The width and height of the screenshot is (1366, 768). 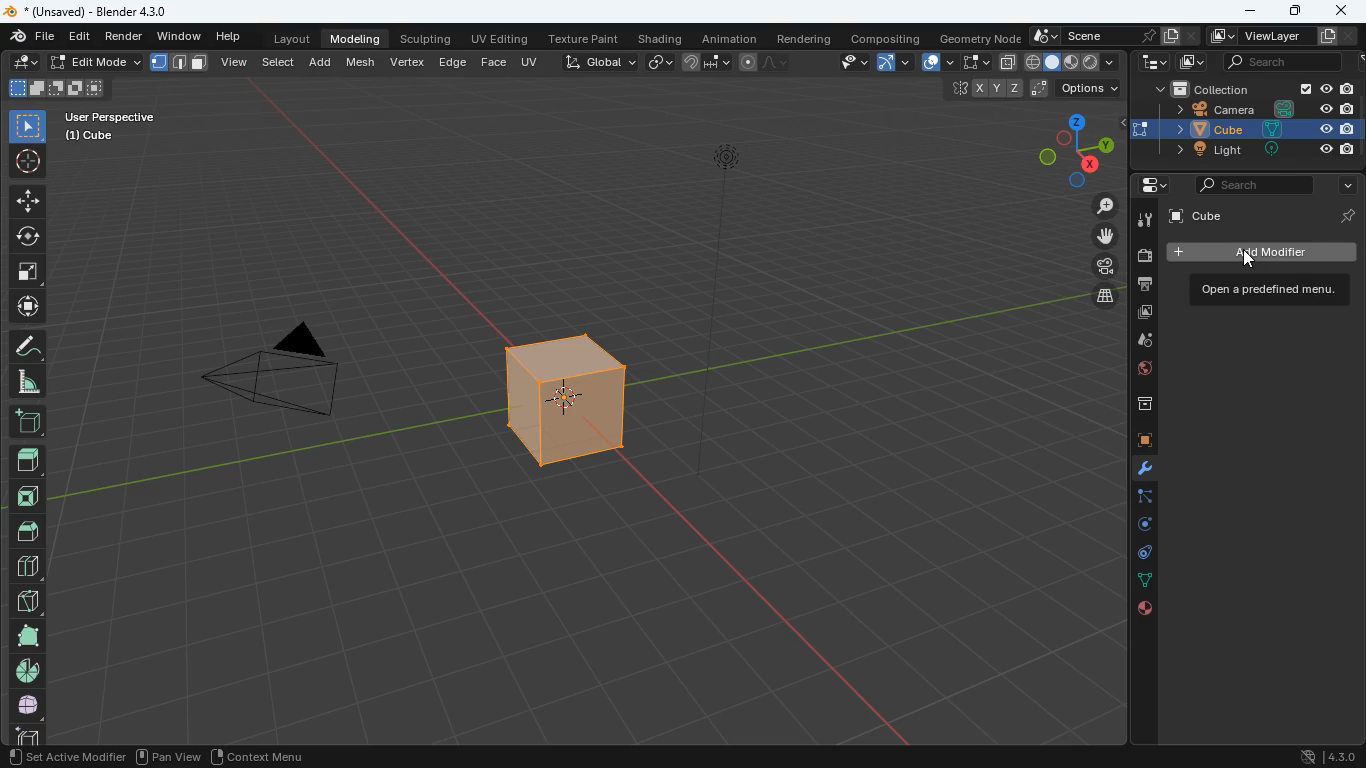 I want to click on move, so click(x=1100, y=238).